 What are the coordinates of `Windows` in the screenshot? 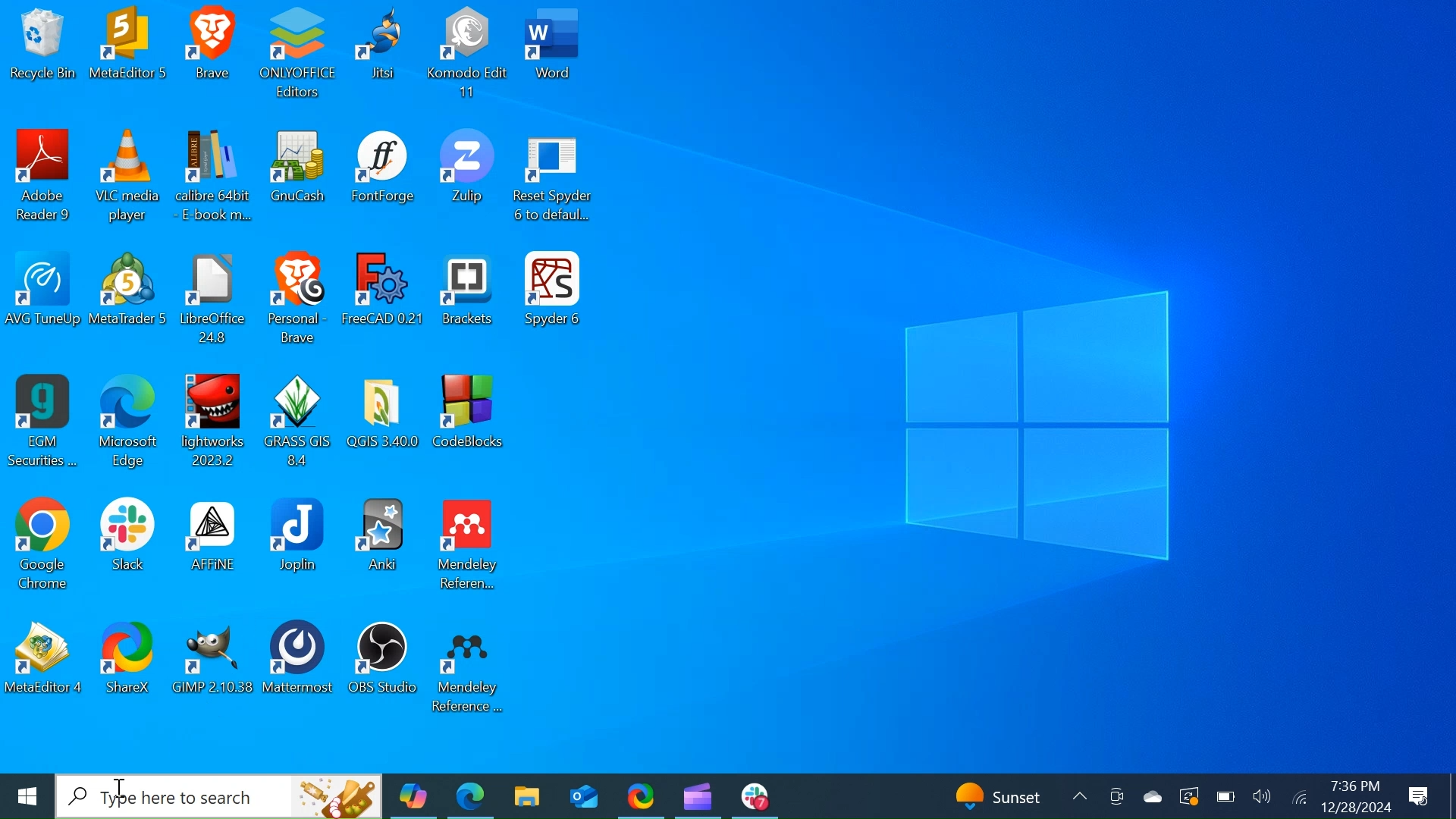 It's located at (27, 797).